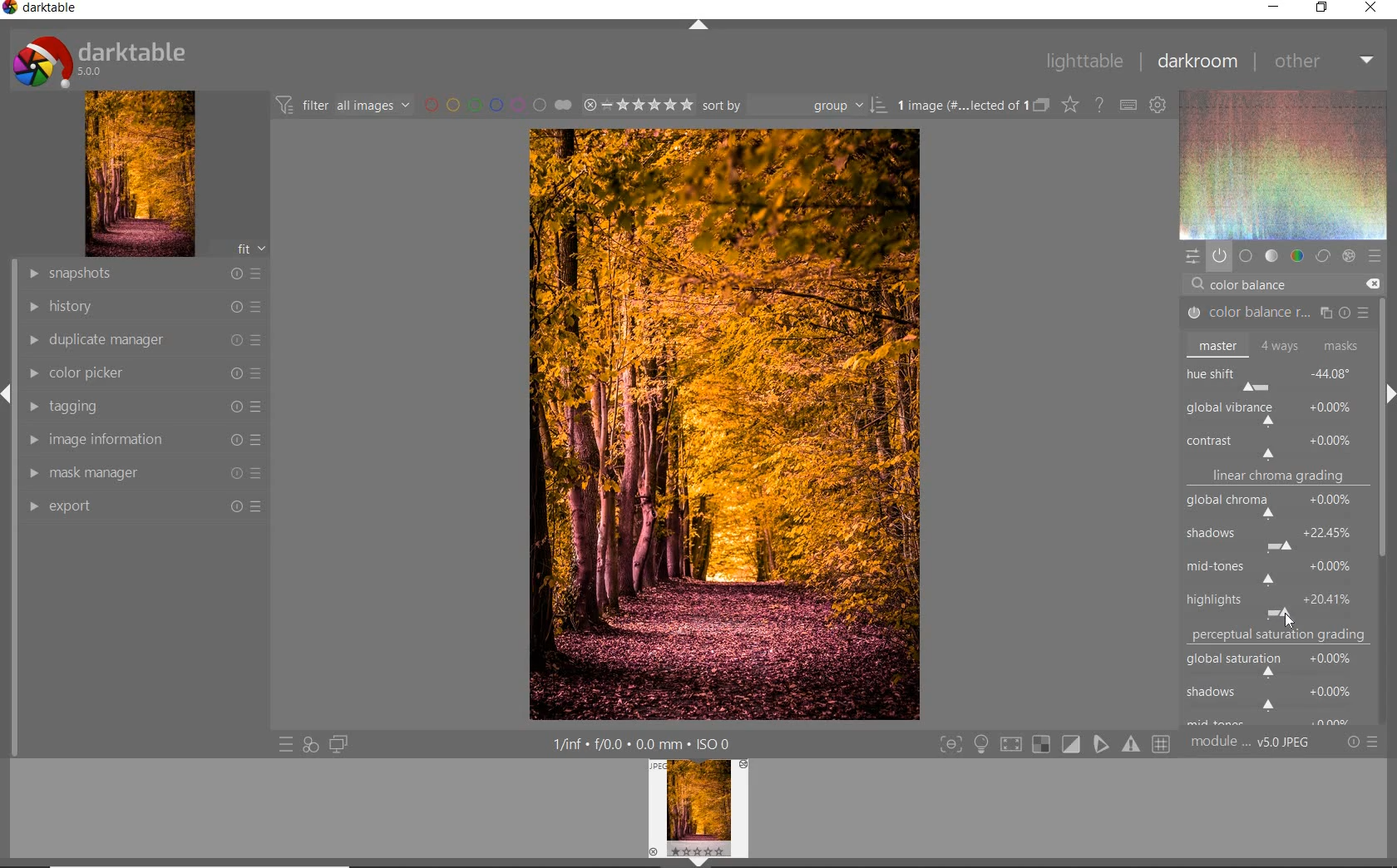 The height and width of the screenshot is (868, 1397). What do you see at coordinates (1320, 9) in the screenshot?
I see `restore` at bounding box center [1320, 9].